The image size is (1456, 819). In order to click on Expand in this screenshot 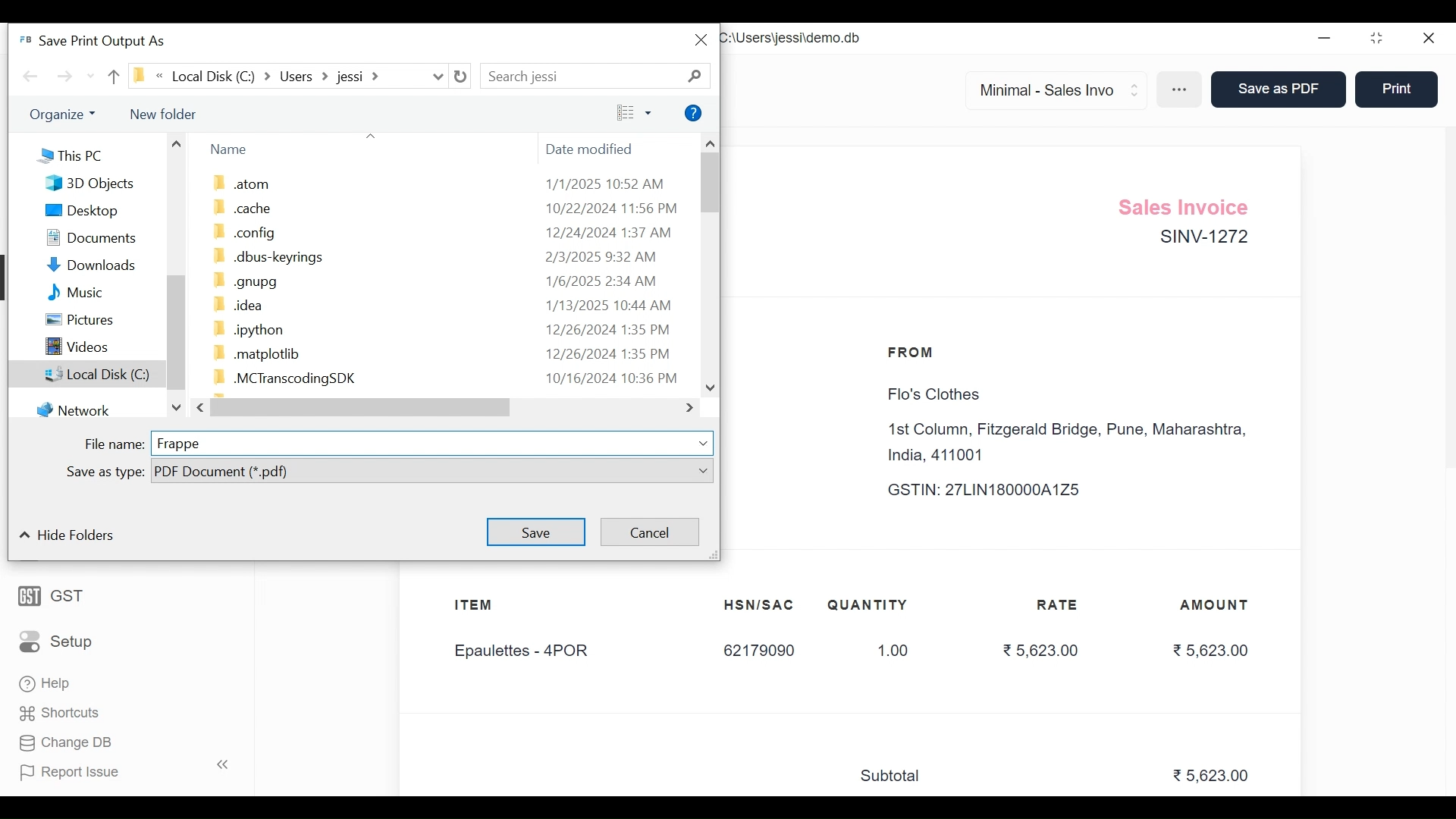, I will do `click(690, 409)`.